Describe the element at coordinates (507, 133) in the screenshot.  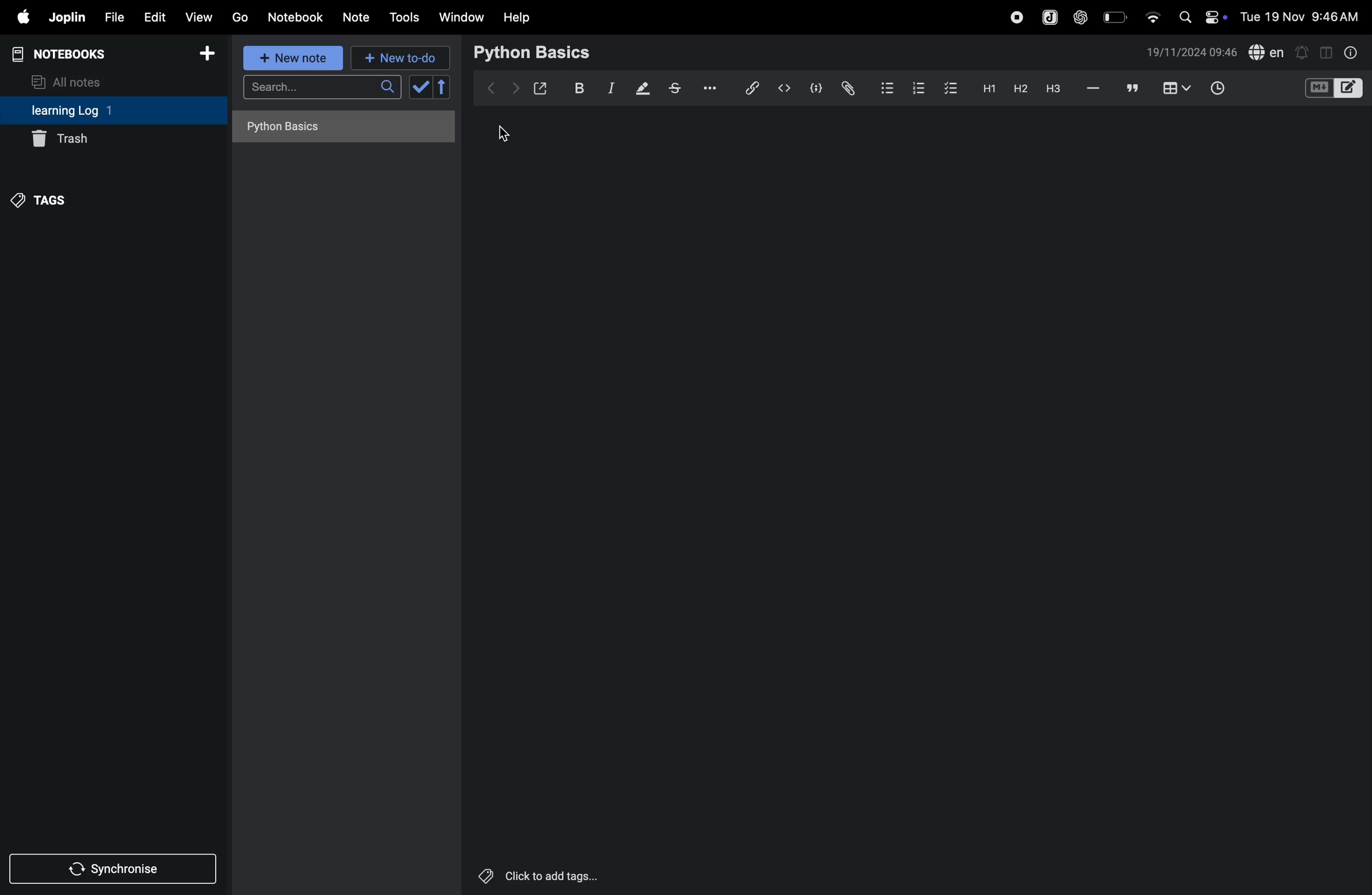
I see `cursor` at that location.